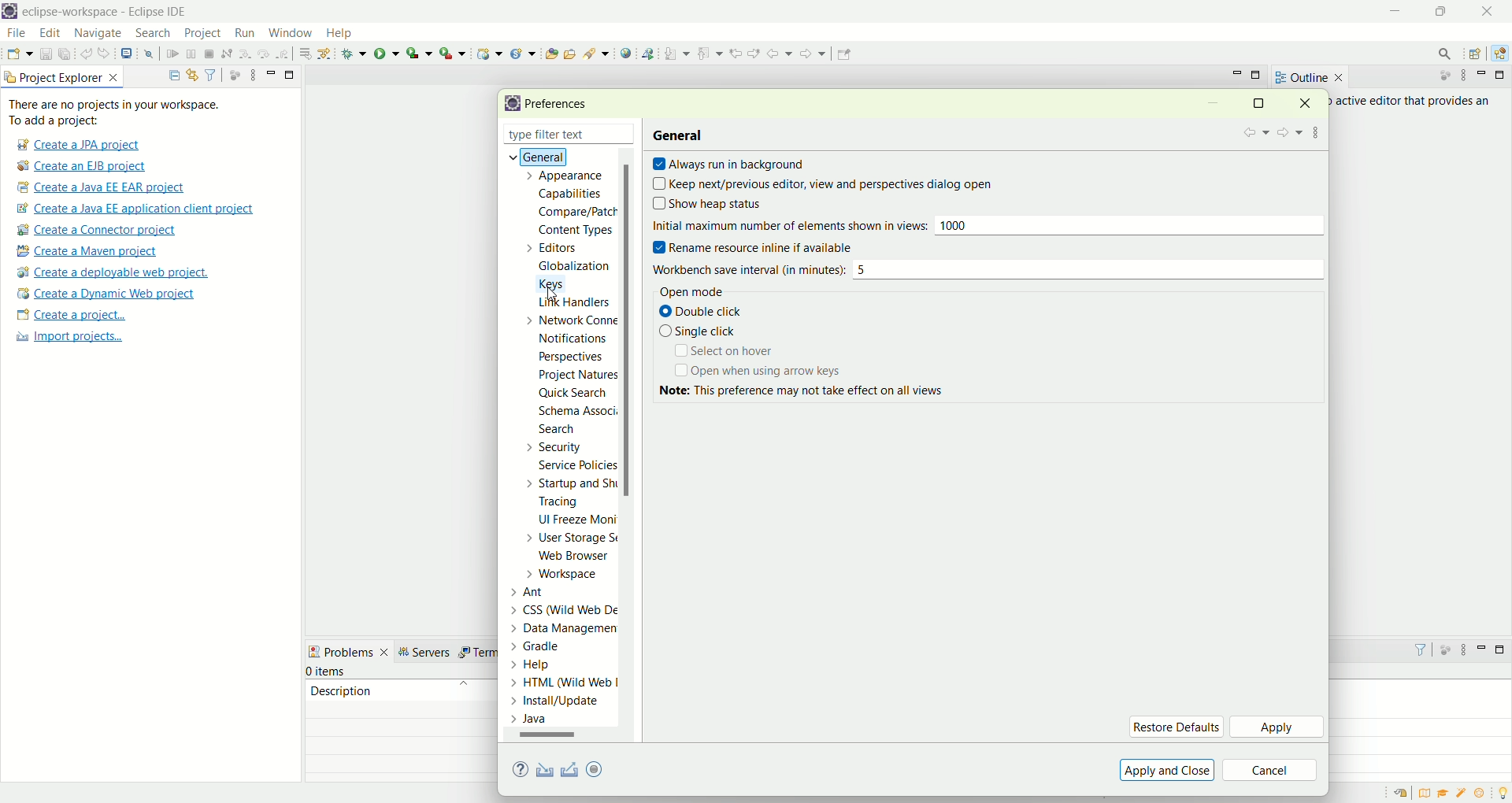  I want to click on filter, so click(210, 74).